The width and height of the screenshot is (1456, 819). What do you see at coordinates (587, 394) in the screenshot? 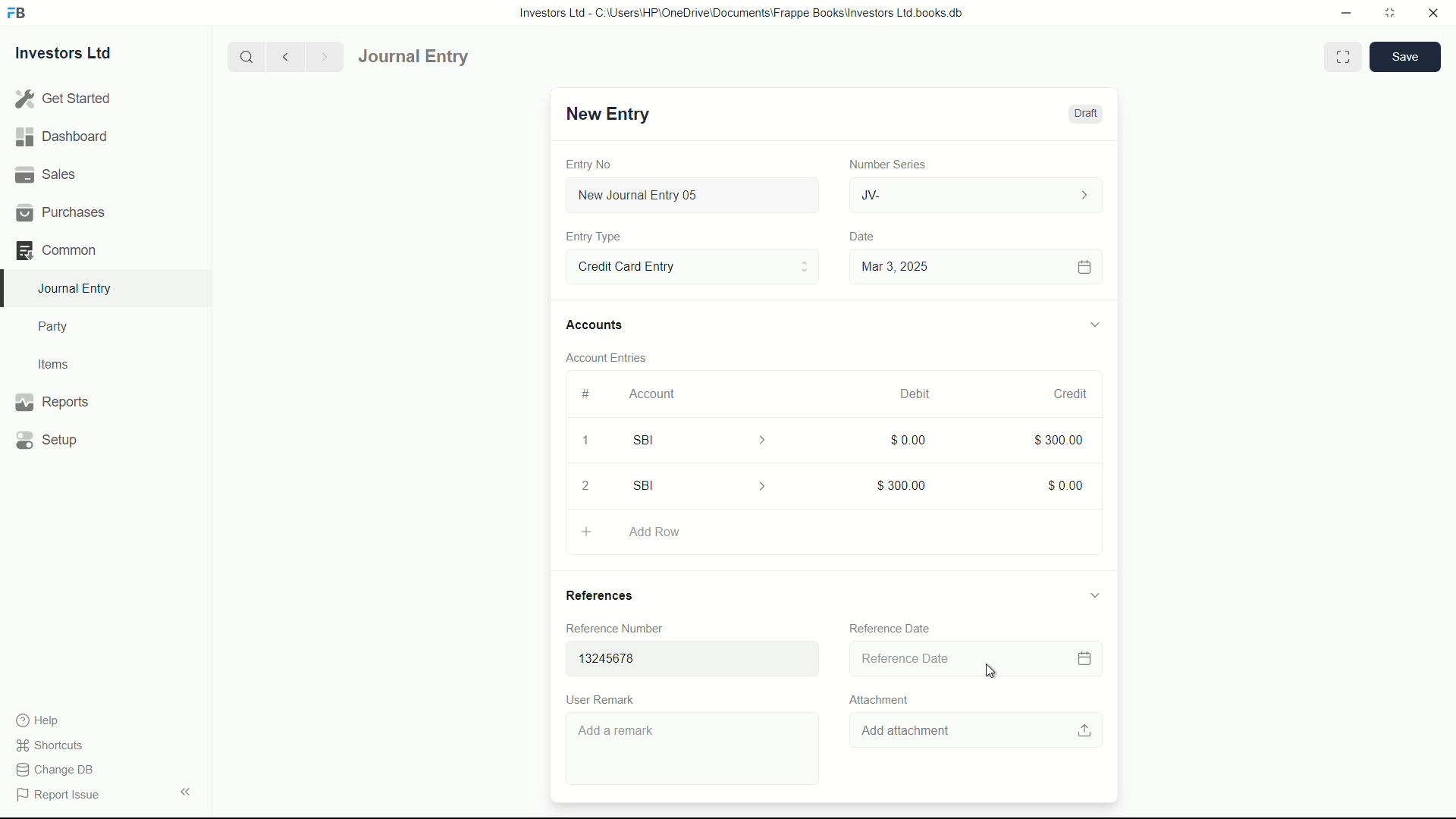
I see `#` at bounding box center [587, 394].